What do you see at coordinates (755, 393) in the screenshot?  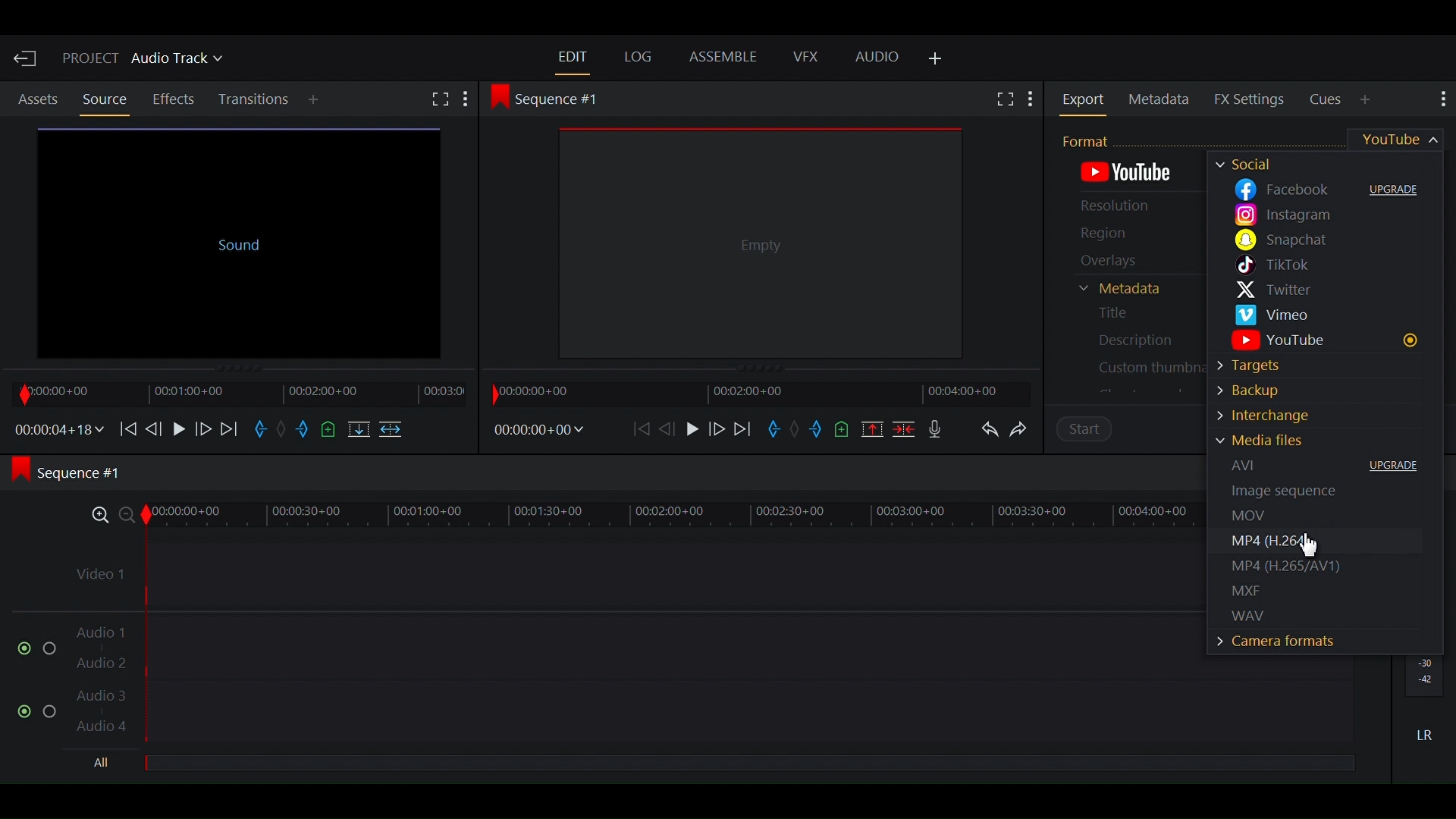 I see `Timeline` at bounding box center [755, 393].